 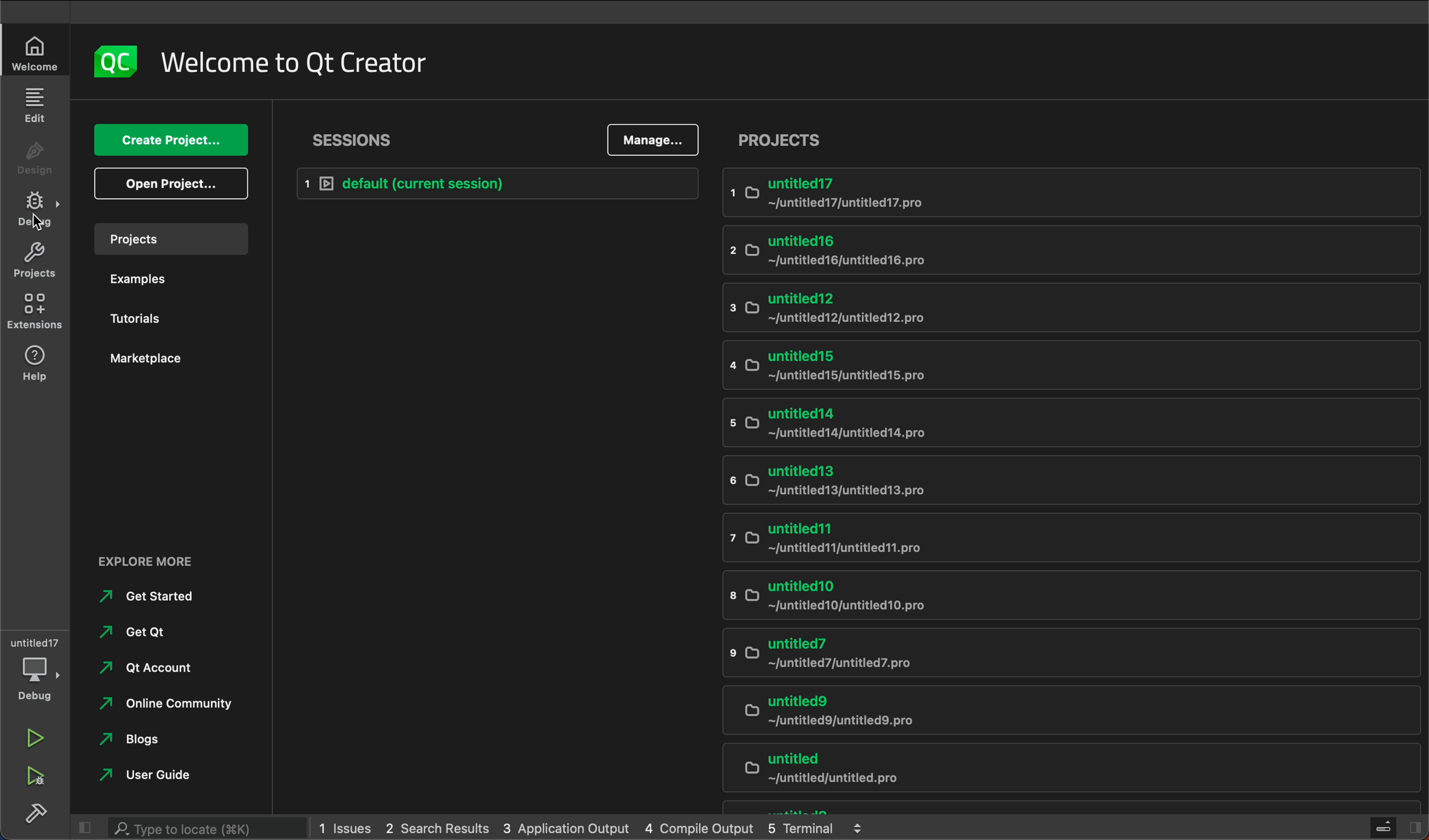 What do you see at coordinates (342, 828) in the screenshot?
I see `1 Issues` at bounding box center [342, 828].